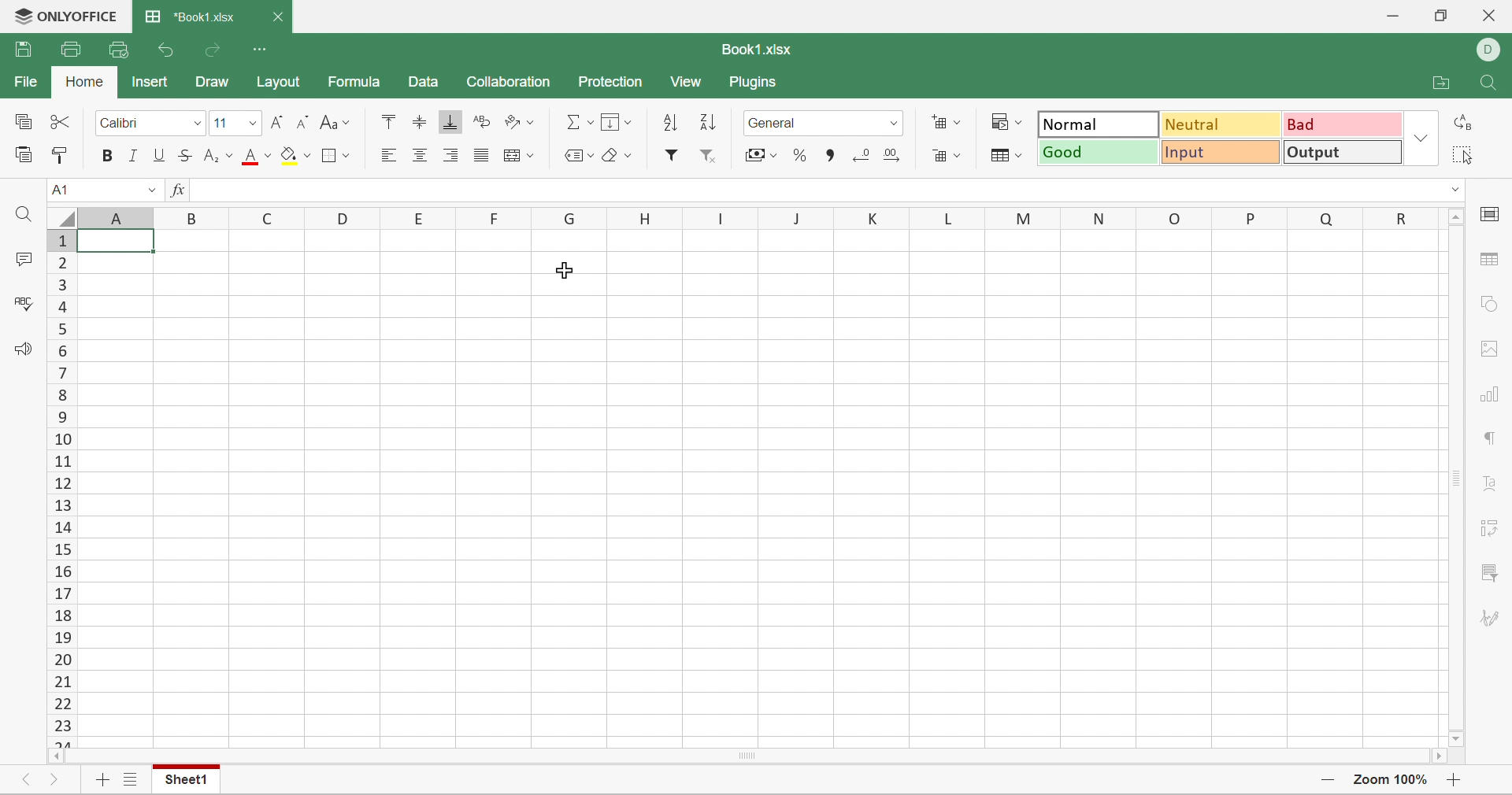  What do you see at coordinates (109, 157) in the screenshot?
I see `bold` at bounding box center [109, 157].